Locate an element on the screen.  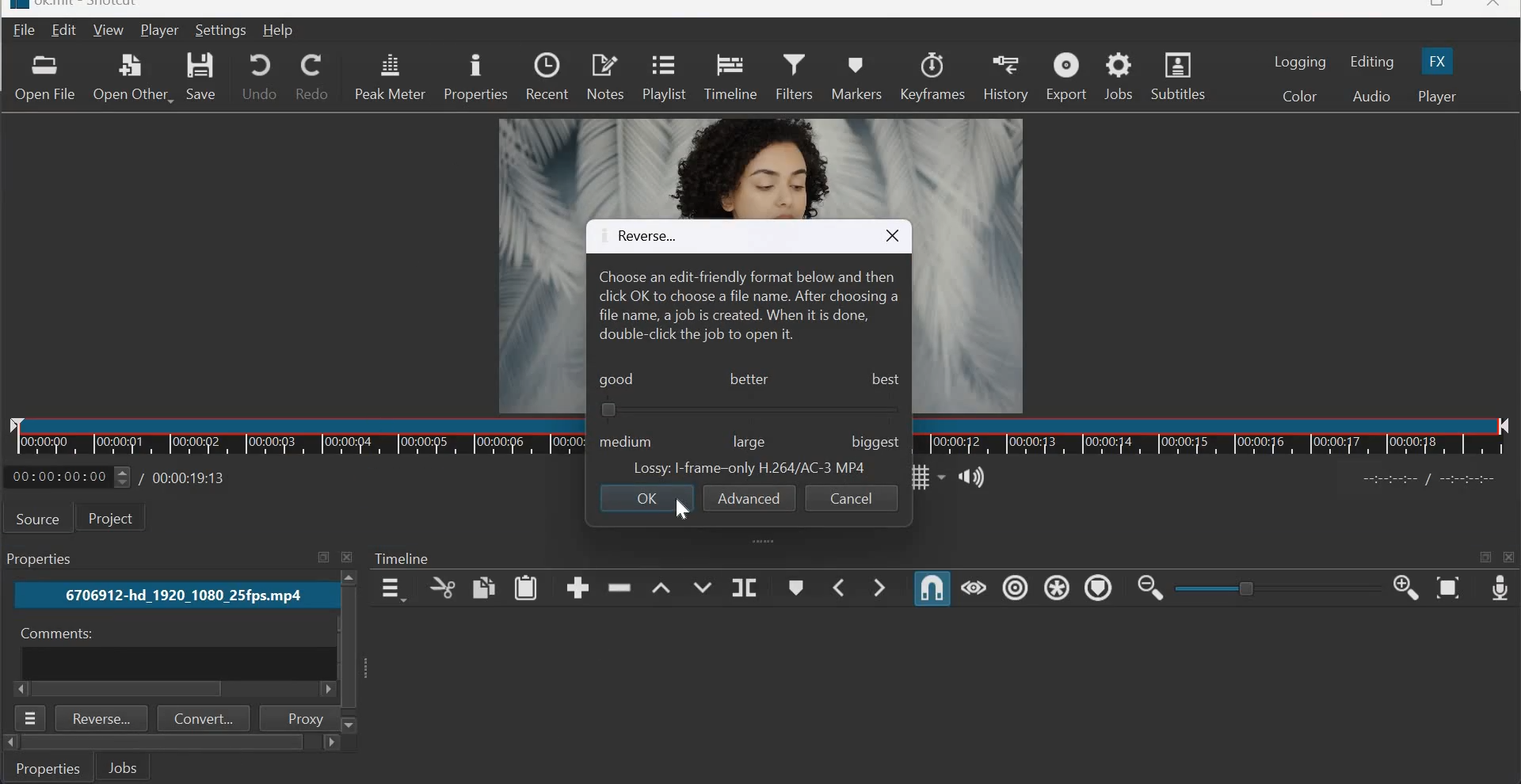
close is located at coordinates (892, 236).